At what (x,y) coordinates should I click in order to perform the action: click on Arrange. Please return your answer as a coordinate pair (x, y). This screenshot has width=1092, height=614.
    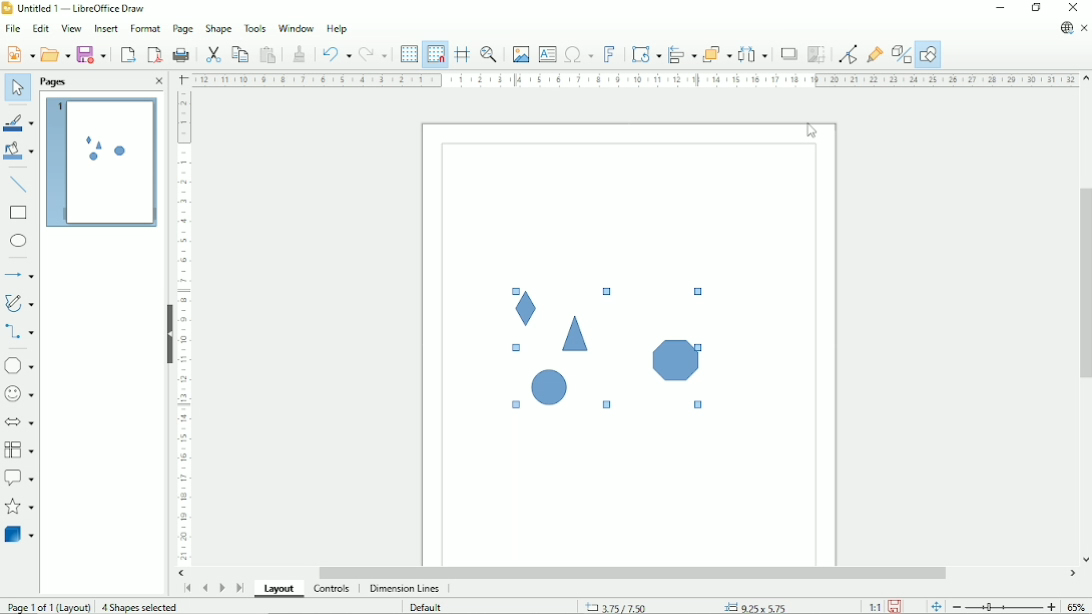
    Looking at the image, I should click on (716, 53).